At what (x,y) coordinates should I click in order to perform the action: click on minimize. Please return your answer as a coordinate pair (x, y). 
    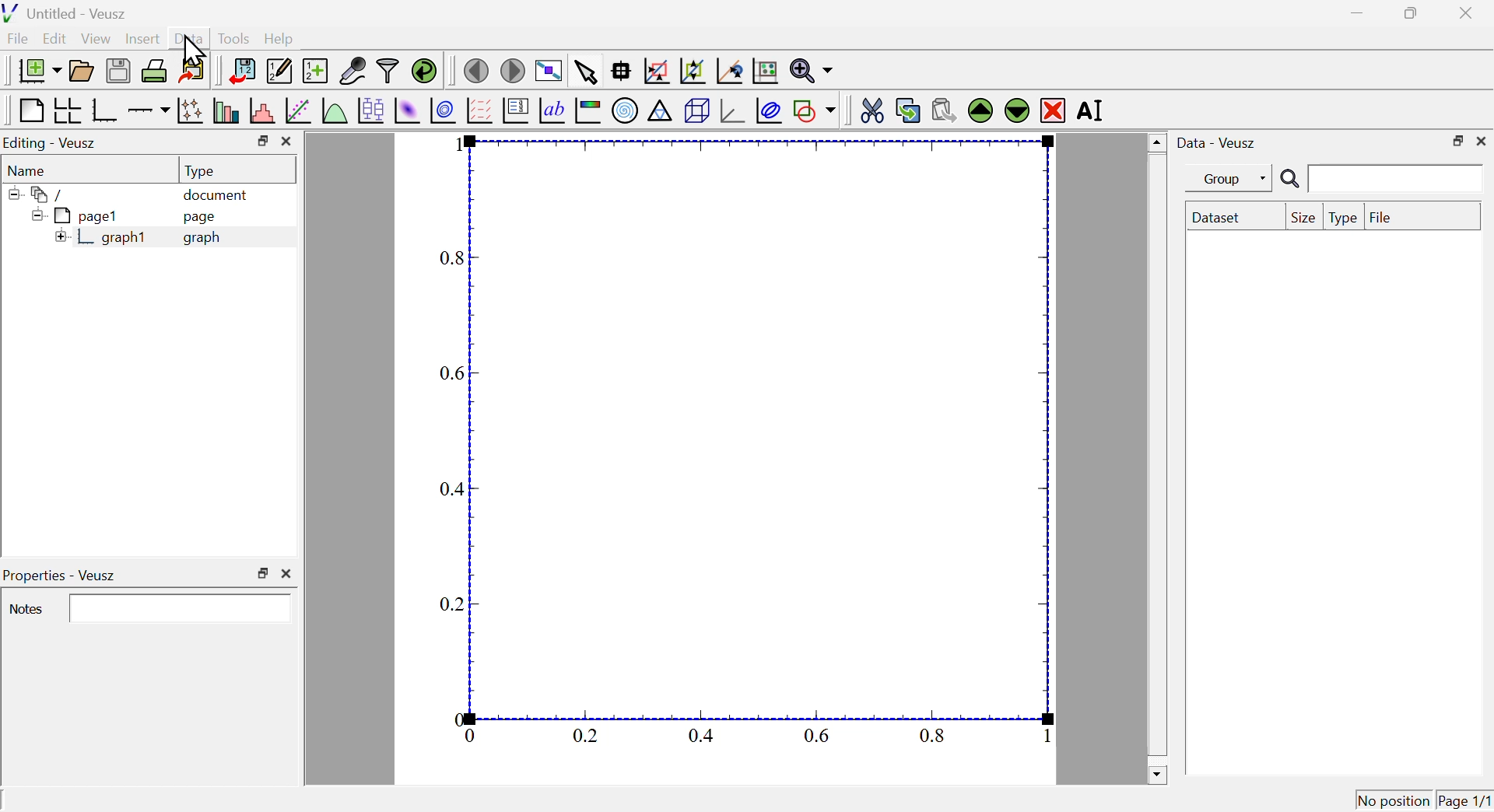
    Looking at the image, I should click on (1352, 13).